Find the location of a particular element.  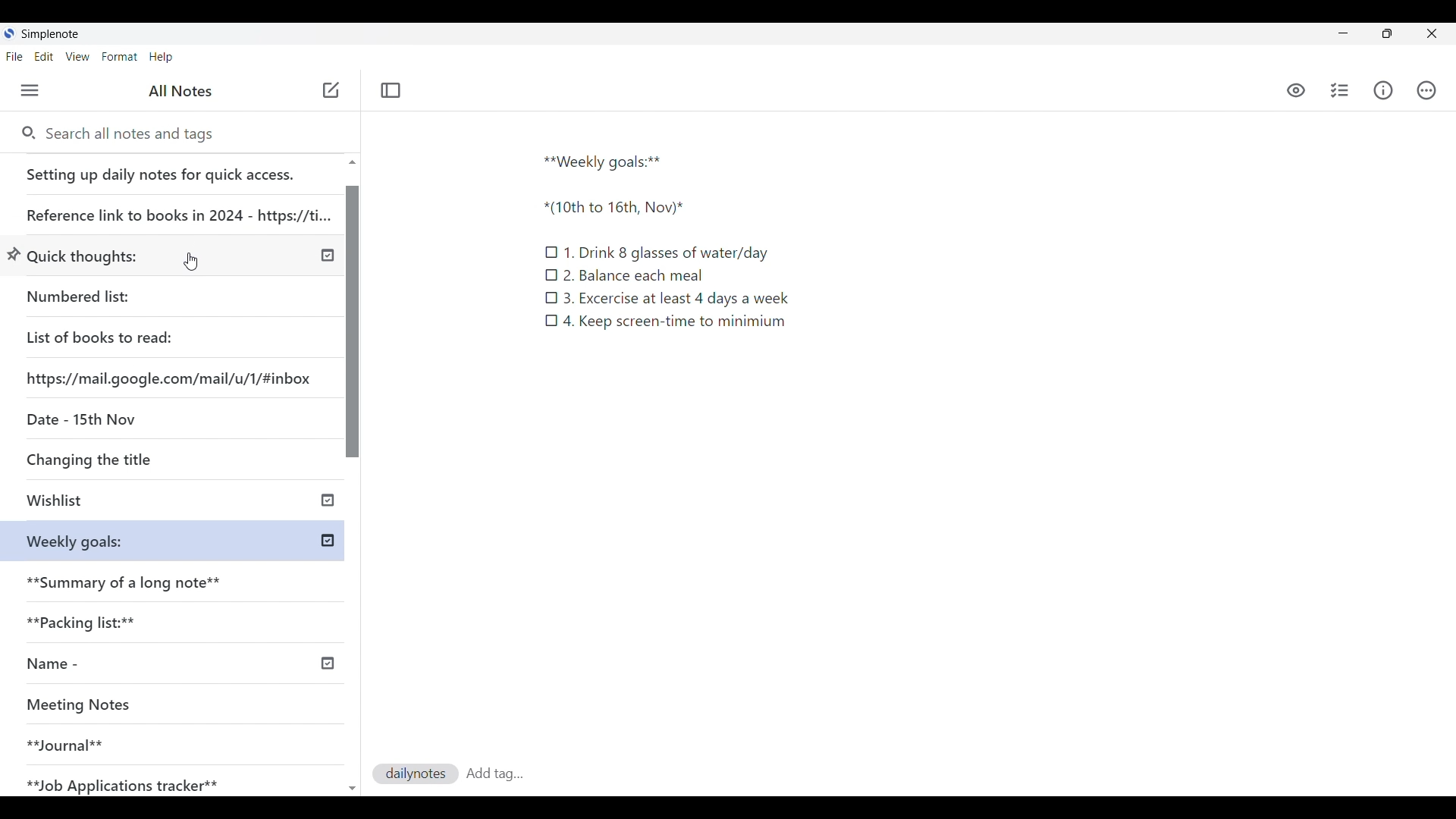

Close is located at coordinates (1432, 33).